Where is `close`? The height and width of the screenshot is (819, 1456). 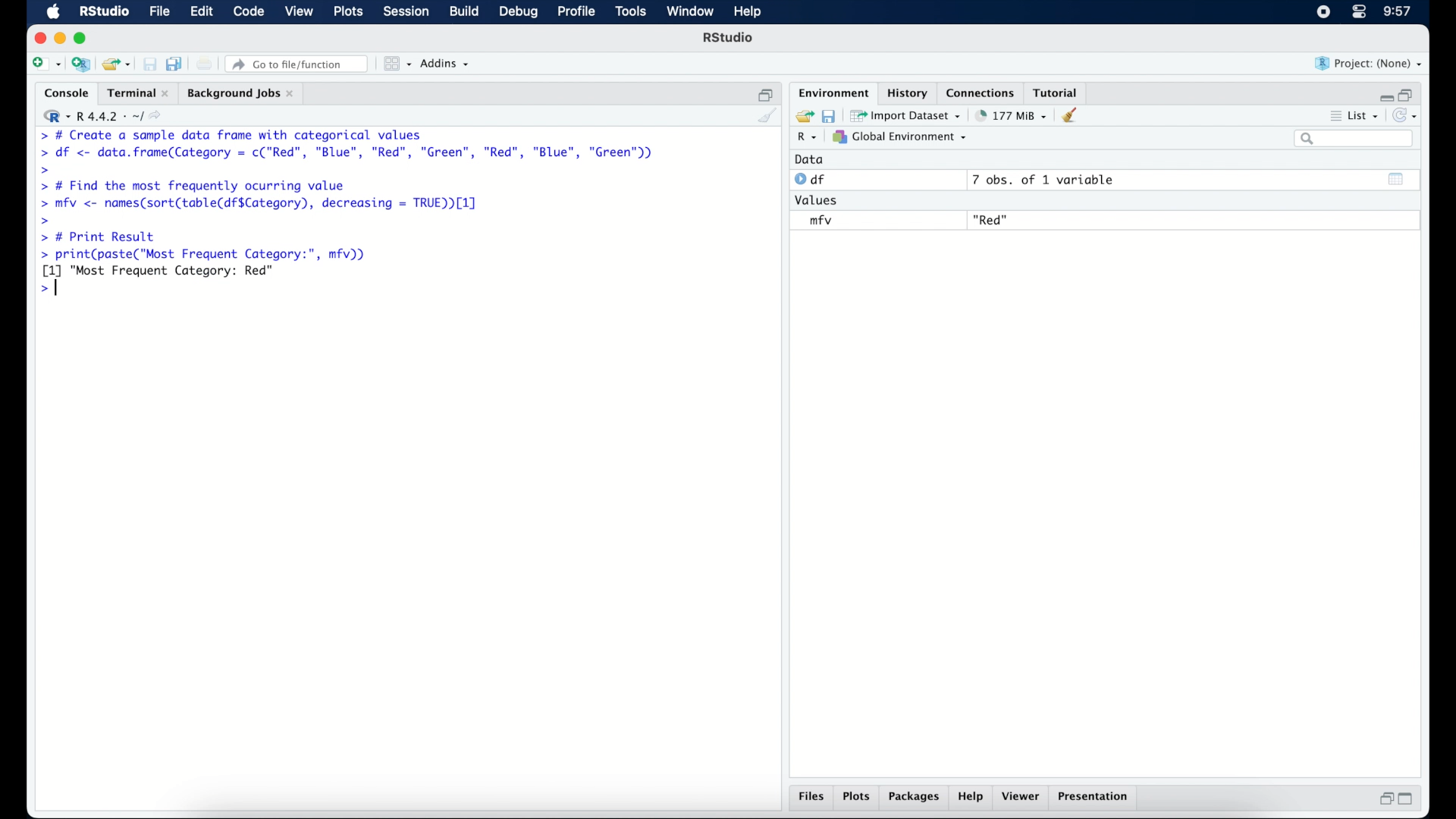
close is located at coordinates (37, 37).